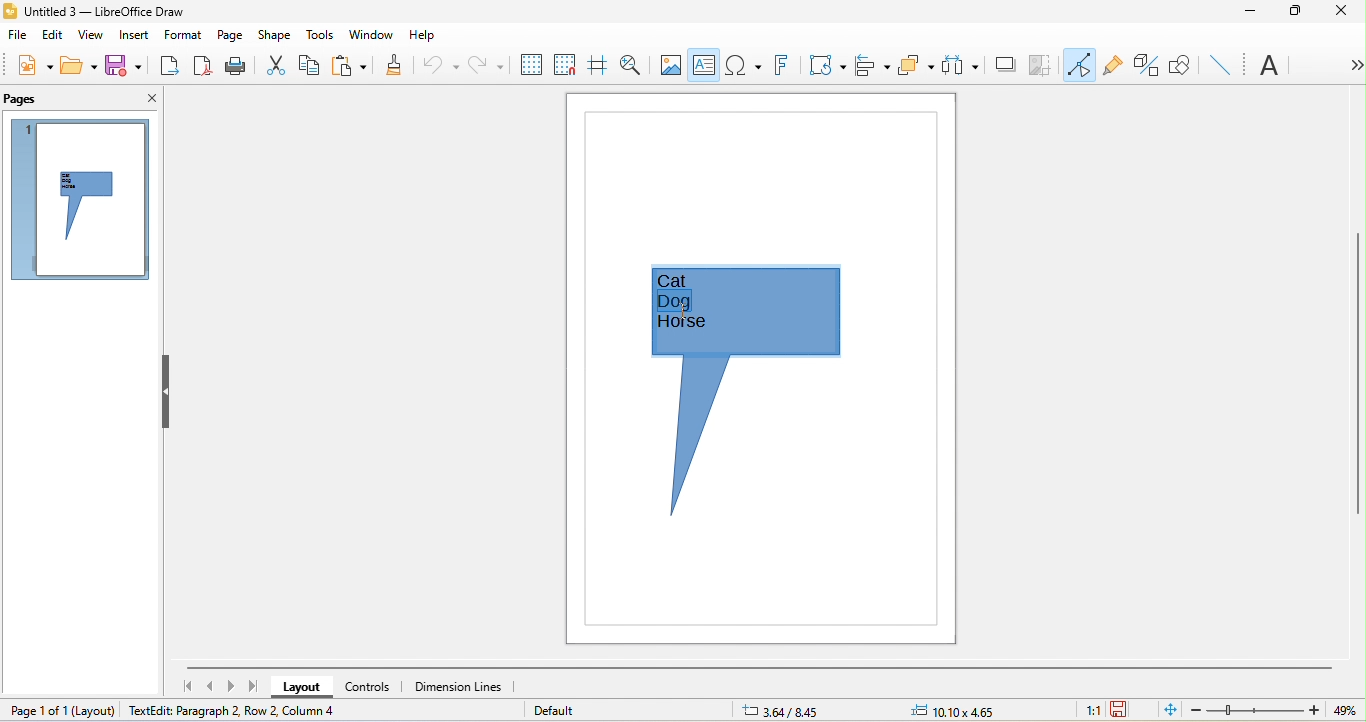 This screenshot has width=1366, height=722. I want to click on shadow, so click(1004, 68).